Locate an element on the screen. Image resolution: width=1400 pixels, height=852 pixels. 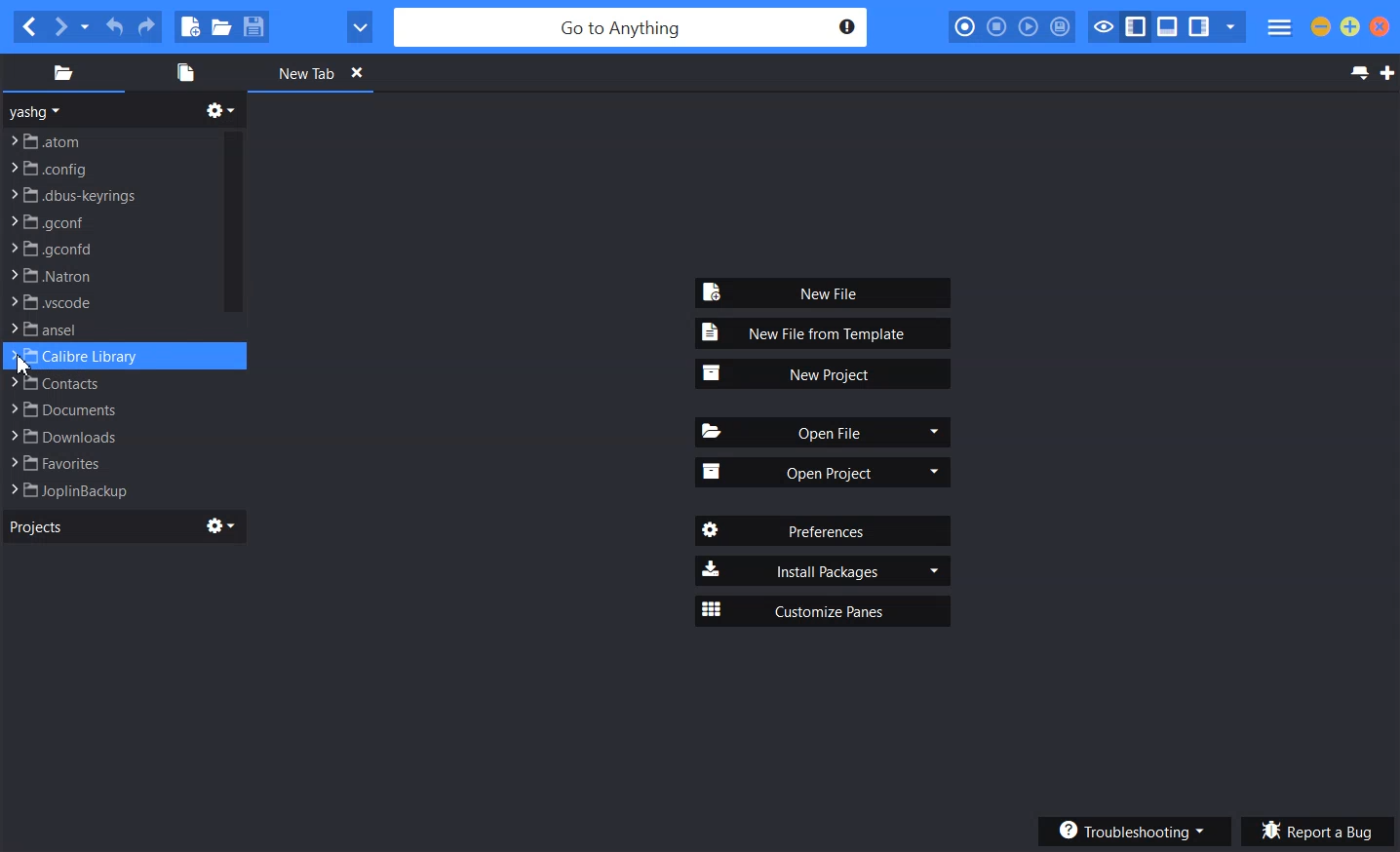
Open Project is located at coordinates (824, 471).